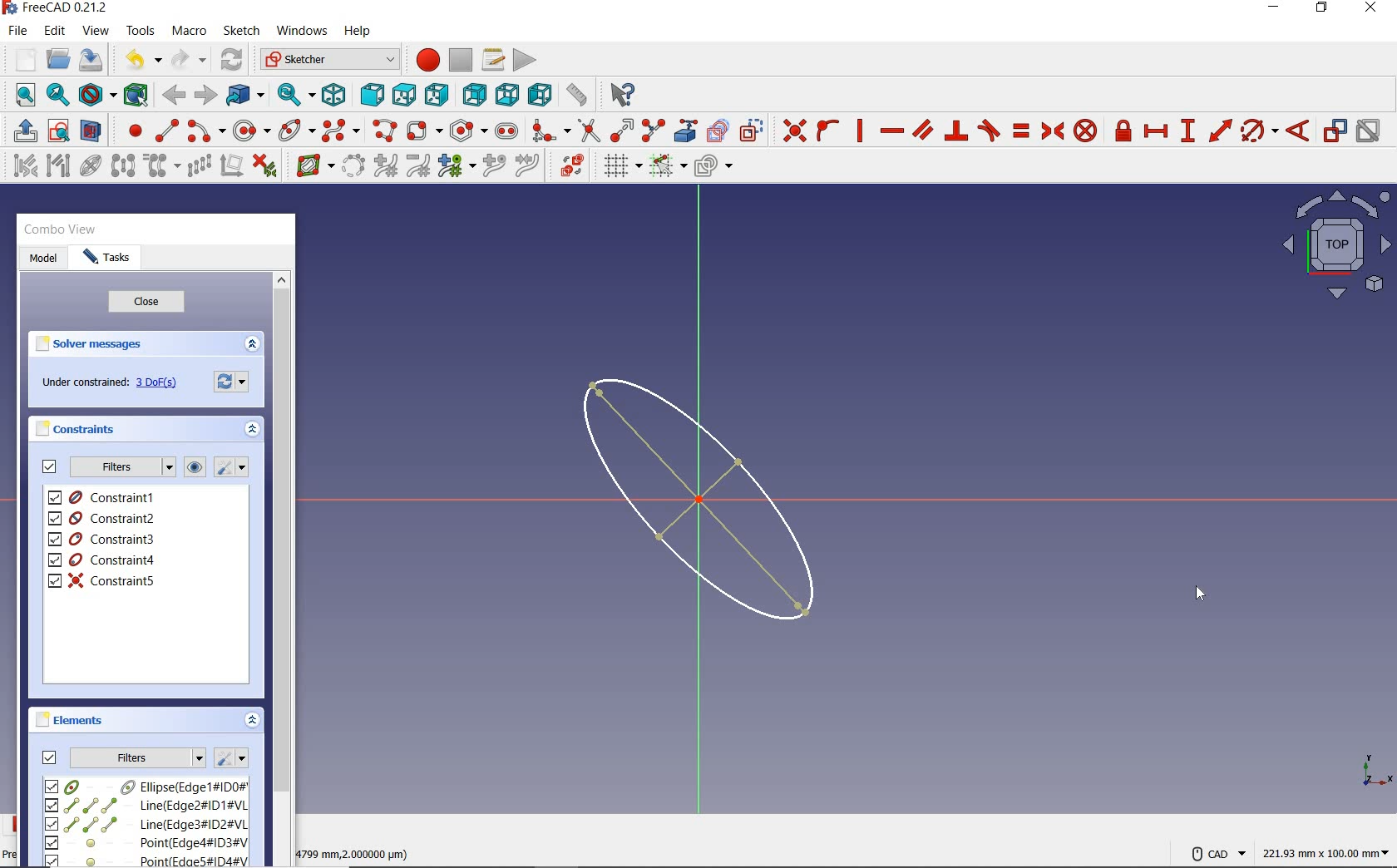 The width and height of the screenshot is (1397, 868). I want to click on undo, so click(139, 60).